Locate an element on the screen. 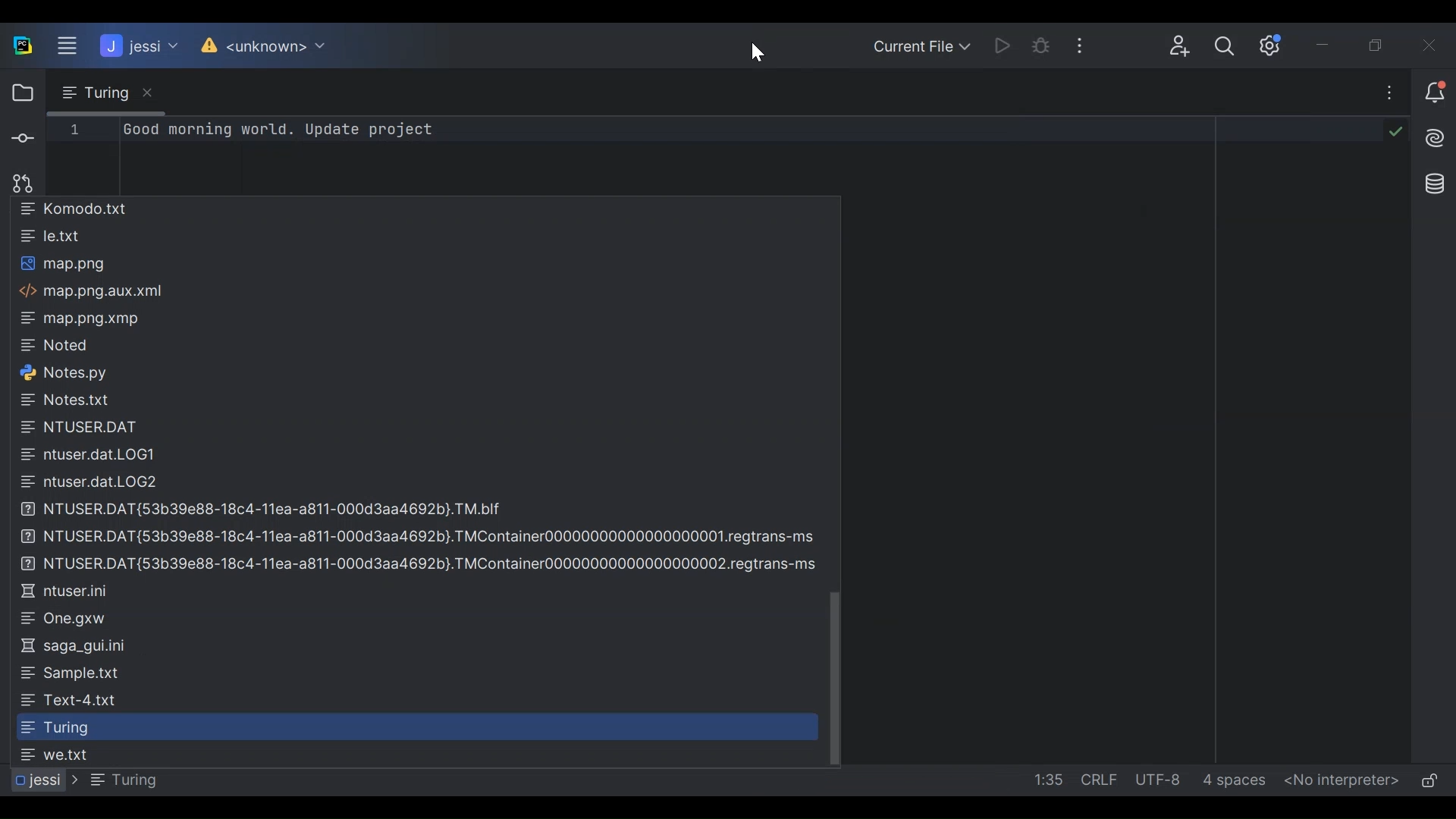 The width and height of the screenshot is (1456, 819). No interpreters is located at coordinates (1338, 782).